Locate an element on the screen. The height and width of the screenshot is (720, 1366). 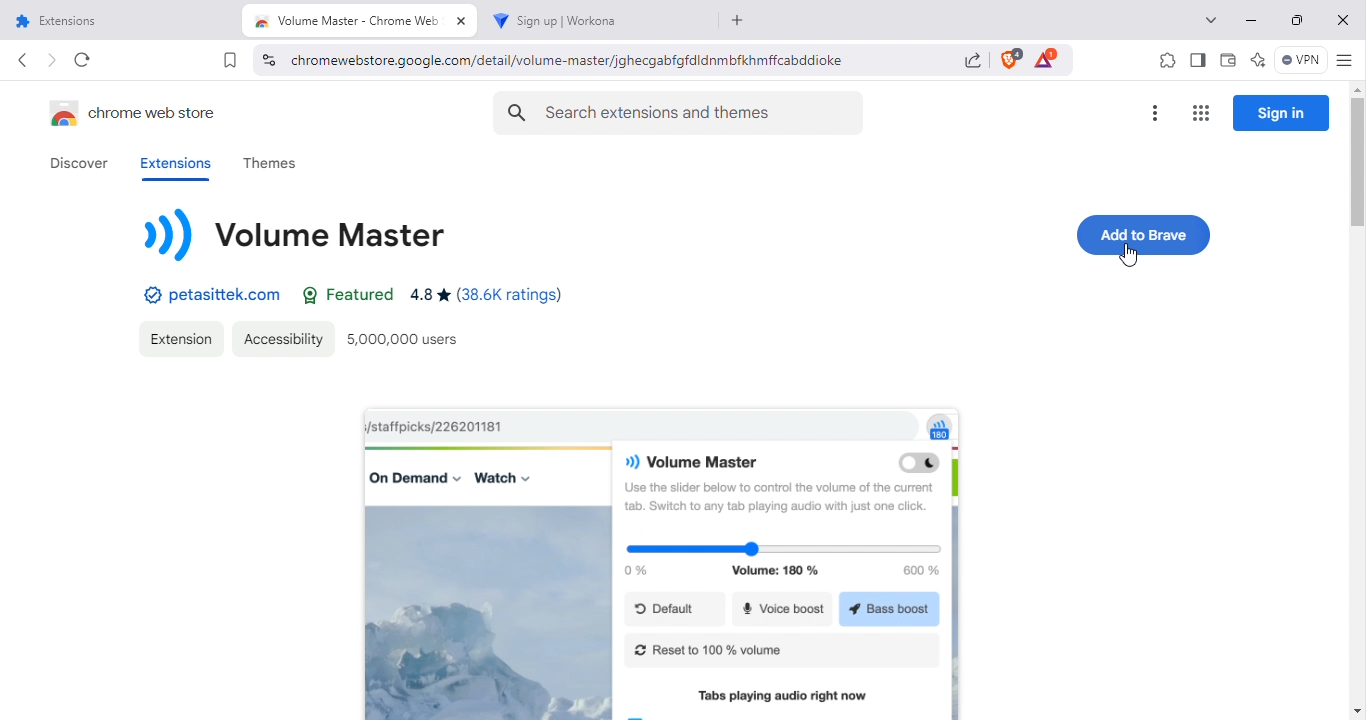
Sidebar is located at coordinates (1199, 59).